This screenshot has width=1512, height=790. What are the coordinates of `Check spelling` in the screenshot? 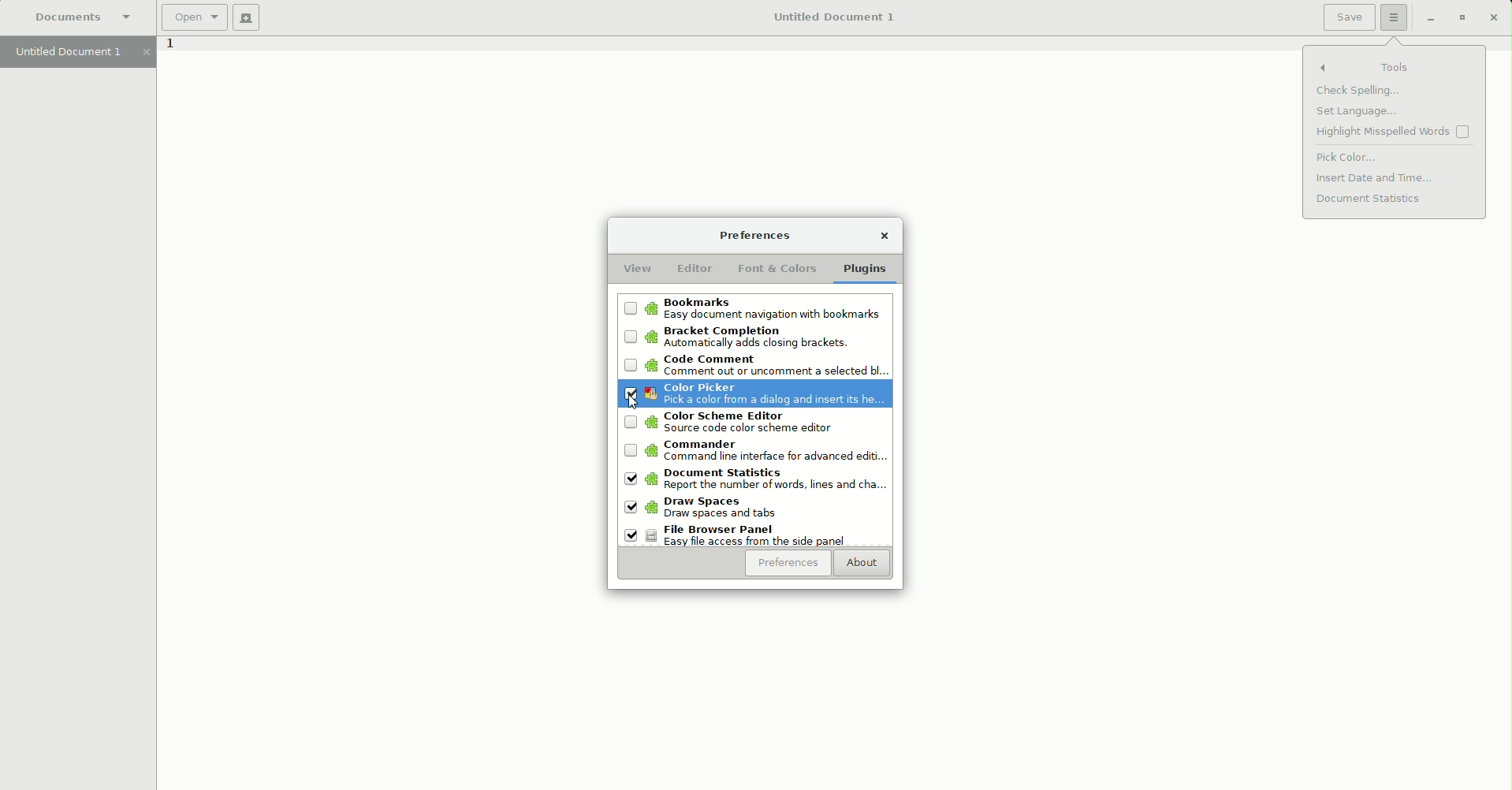 It's located at (1358, 92).